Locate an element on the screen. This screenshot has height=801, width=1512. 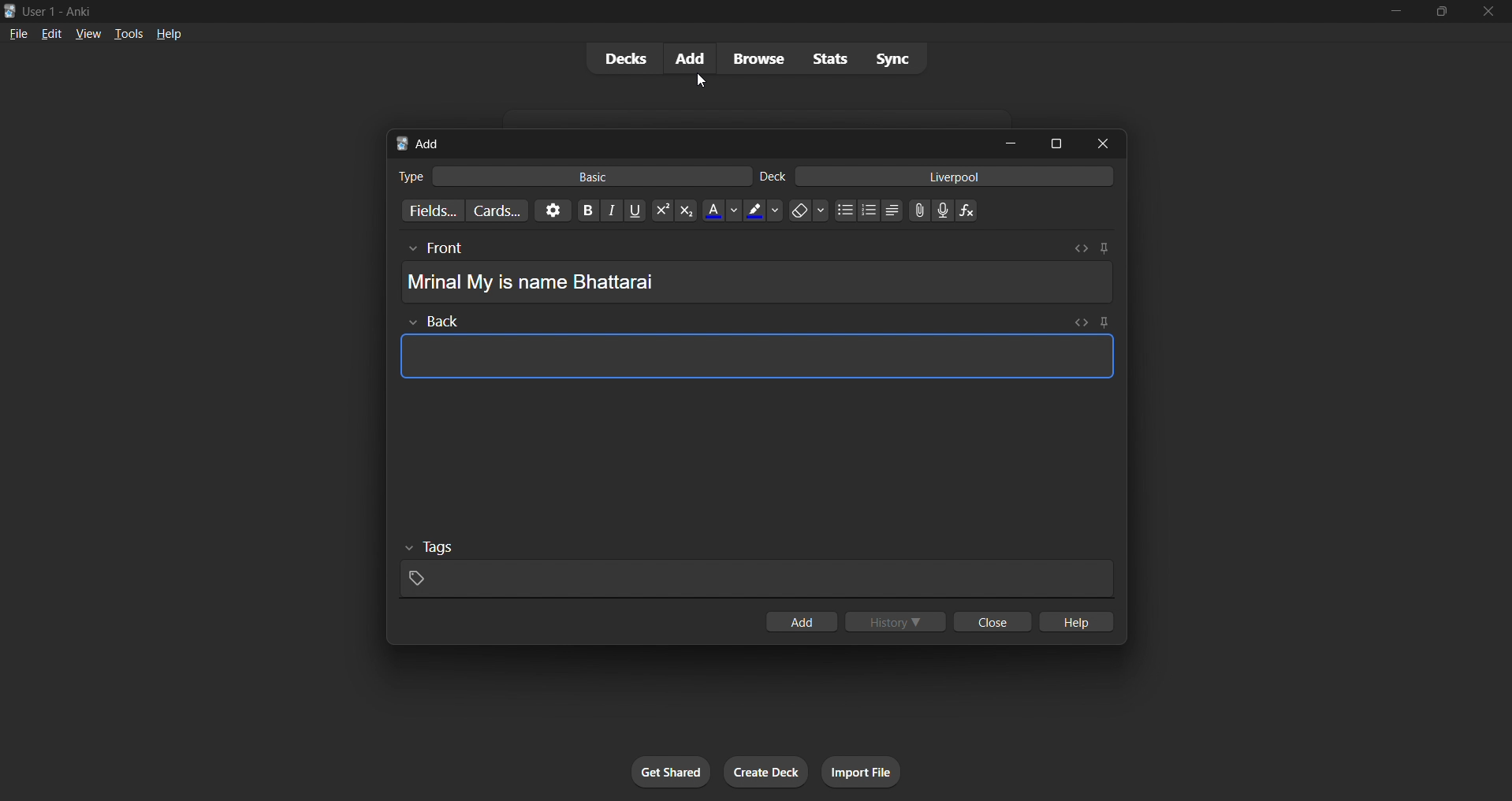
get shared is located at coordinates (665, 773).